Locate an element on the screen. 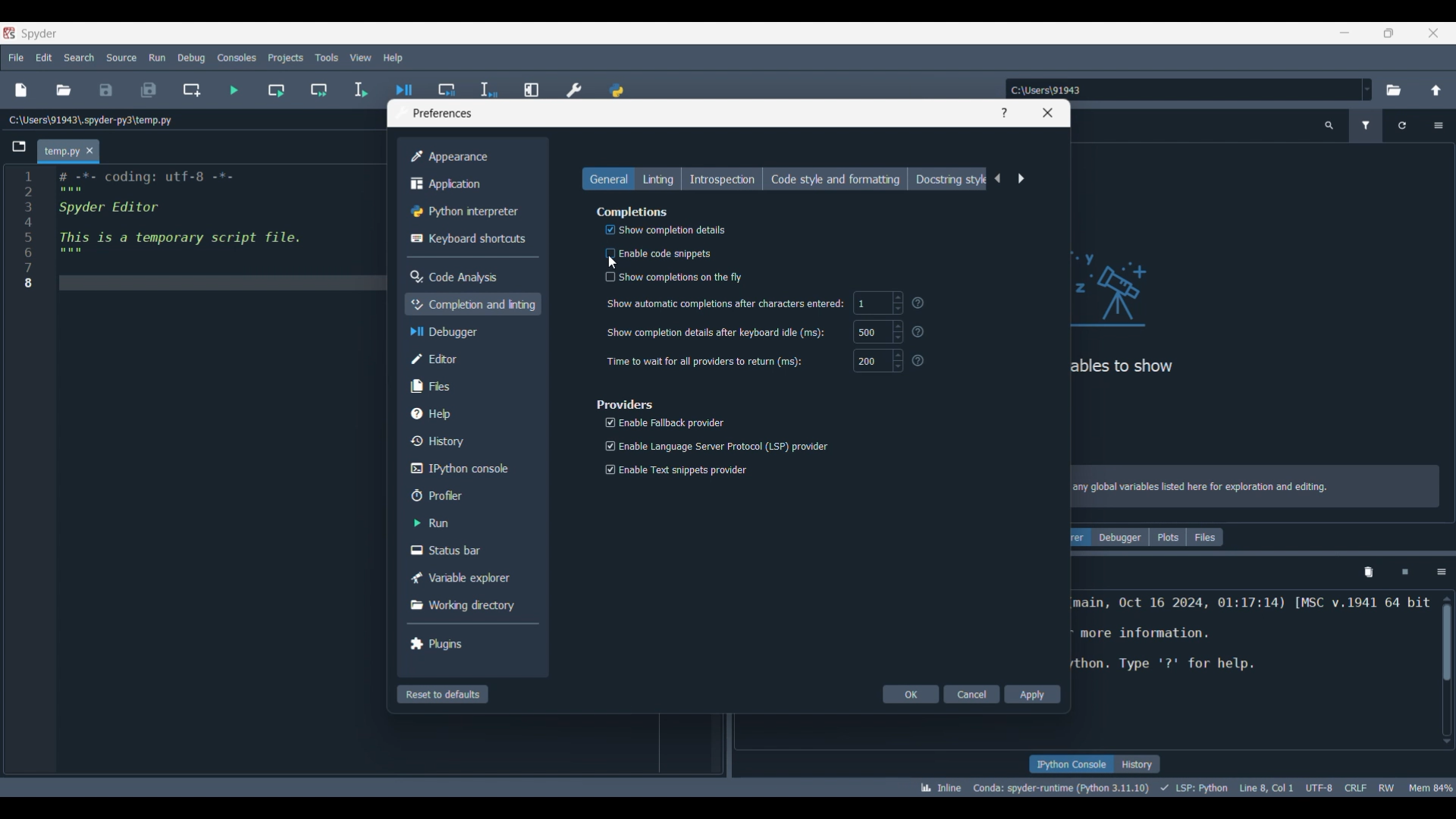 The image size is (1456, 819). Run is located at coordinates (469, 522).